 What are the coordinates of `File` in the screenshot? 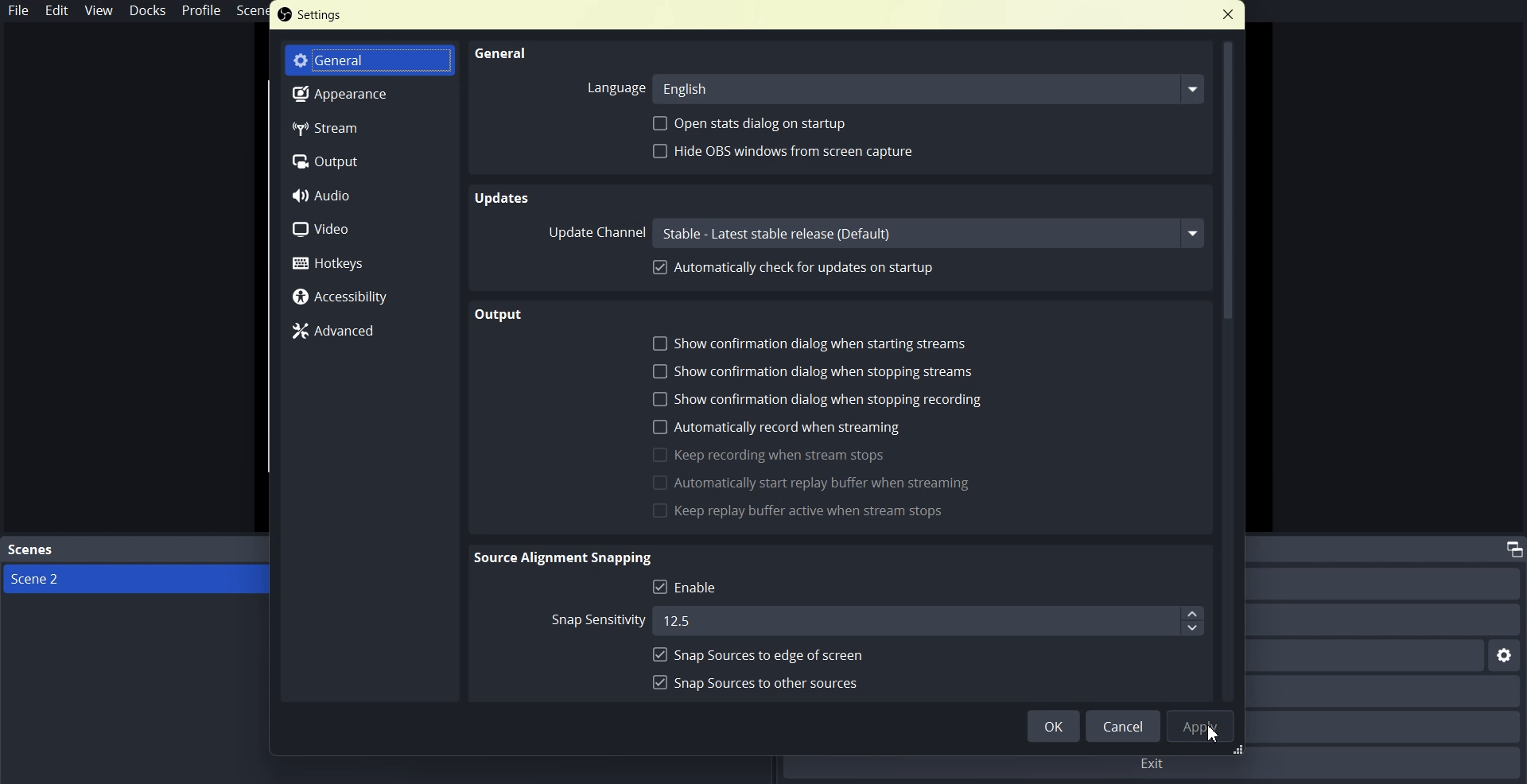 It's located at (19, 10).